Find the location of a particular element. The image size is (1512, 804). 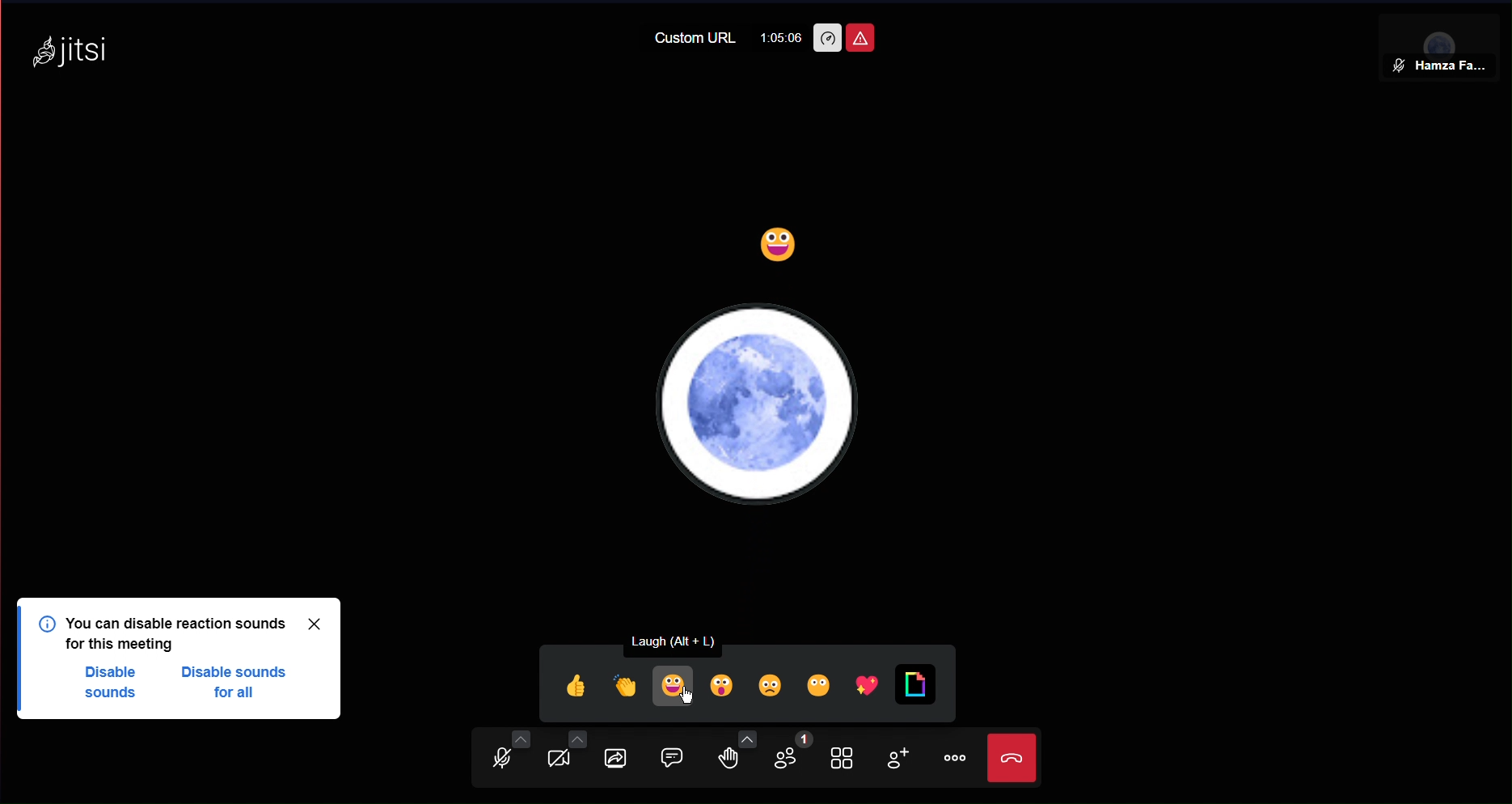

1:05:00 is located at coordinates (780, 37).